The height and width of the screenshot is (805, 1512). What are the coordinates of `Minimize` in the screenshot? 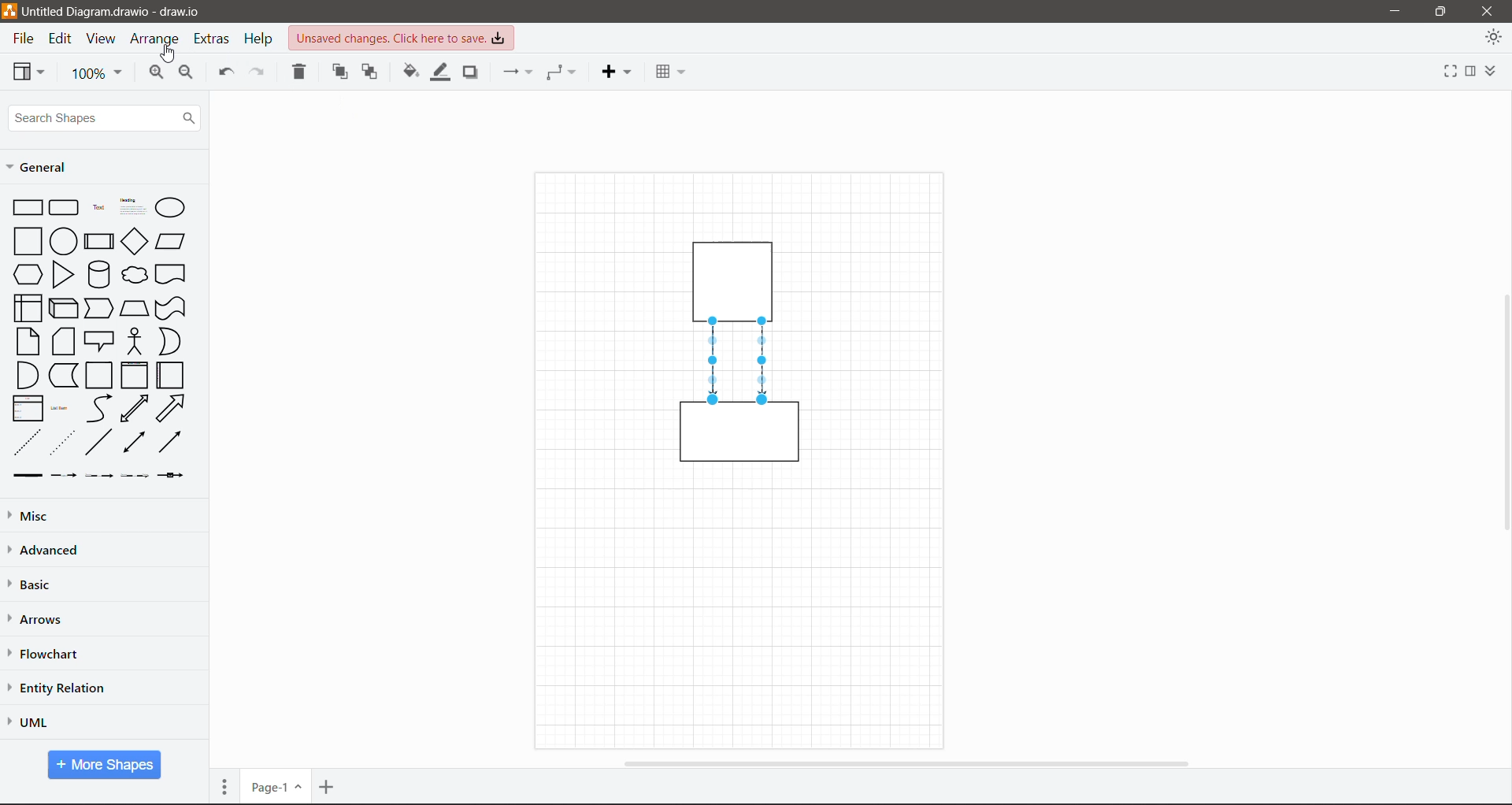 It's located at (1391, 12).